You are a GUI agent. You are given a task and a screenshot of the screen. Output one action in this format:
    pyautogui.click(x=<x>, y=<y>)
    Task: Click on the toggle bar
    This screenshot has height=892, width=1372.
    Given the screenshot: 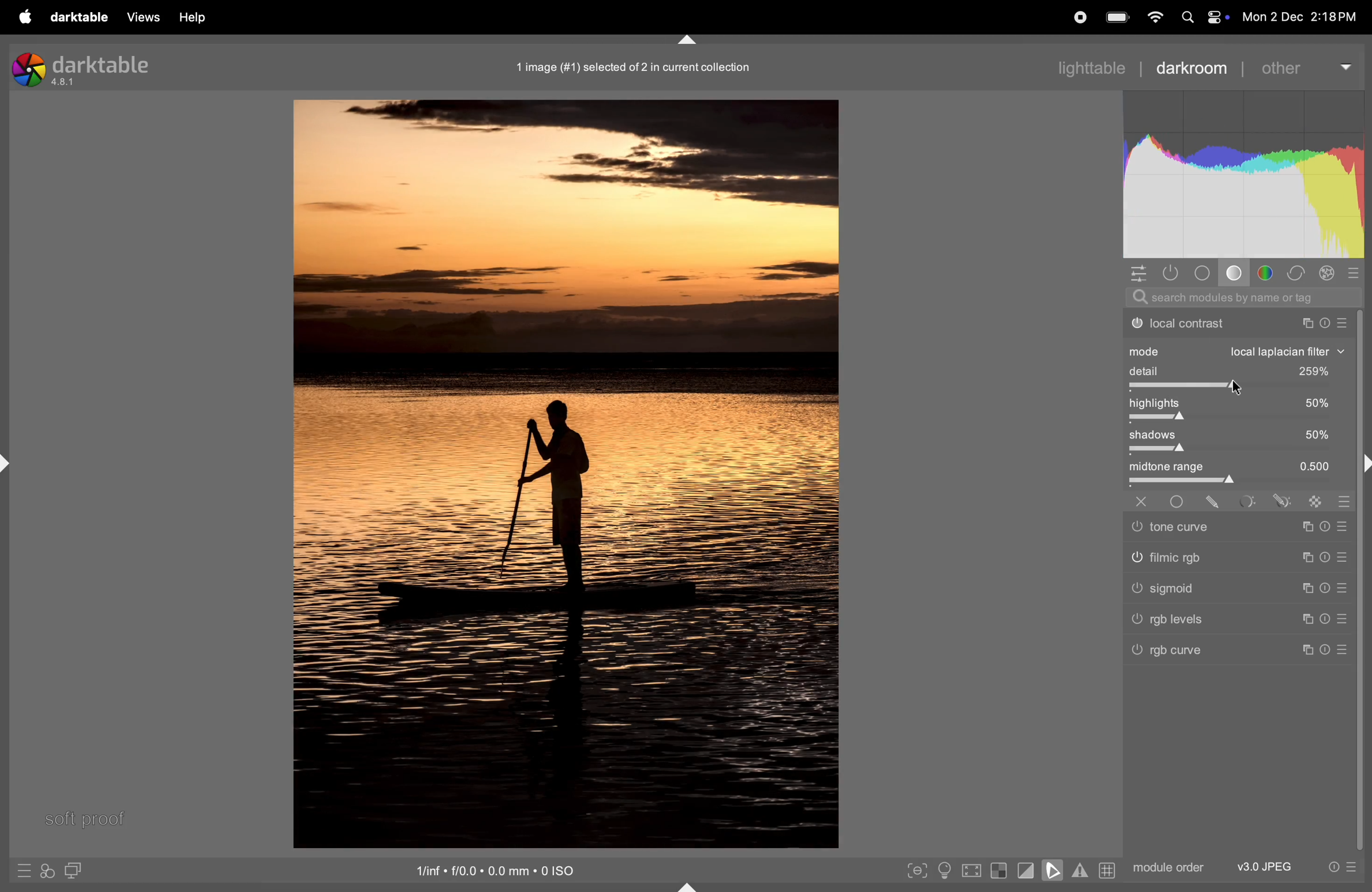 What is the action you would take?
    pyautogui.click(x=1235, y=451)
    